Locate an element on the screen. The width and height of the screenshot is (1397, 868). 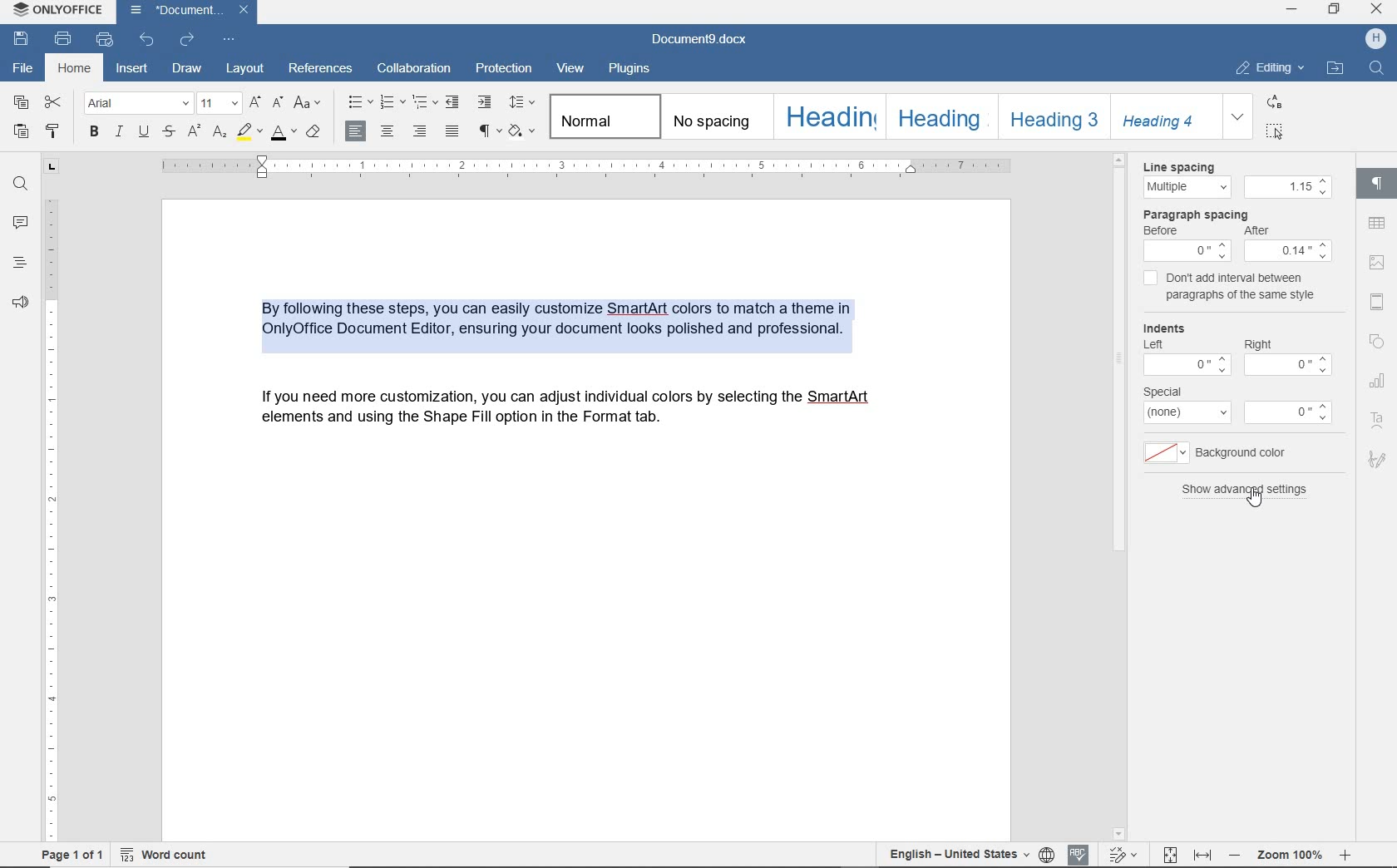
Indents is located at coordinates (1171, 328).